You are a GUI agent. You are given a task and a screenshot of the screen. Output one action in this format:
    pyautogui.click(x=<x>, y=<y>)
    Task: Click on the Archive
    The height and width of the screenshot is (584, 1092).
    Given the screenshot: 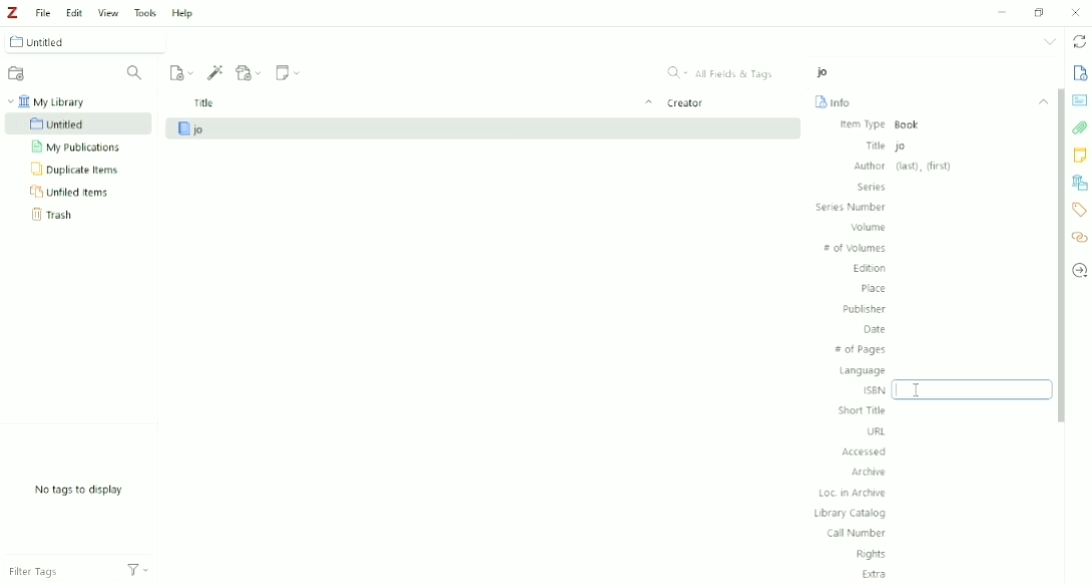 What is the action you would take?
    pyautogui.click(x=871, y=472)
    